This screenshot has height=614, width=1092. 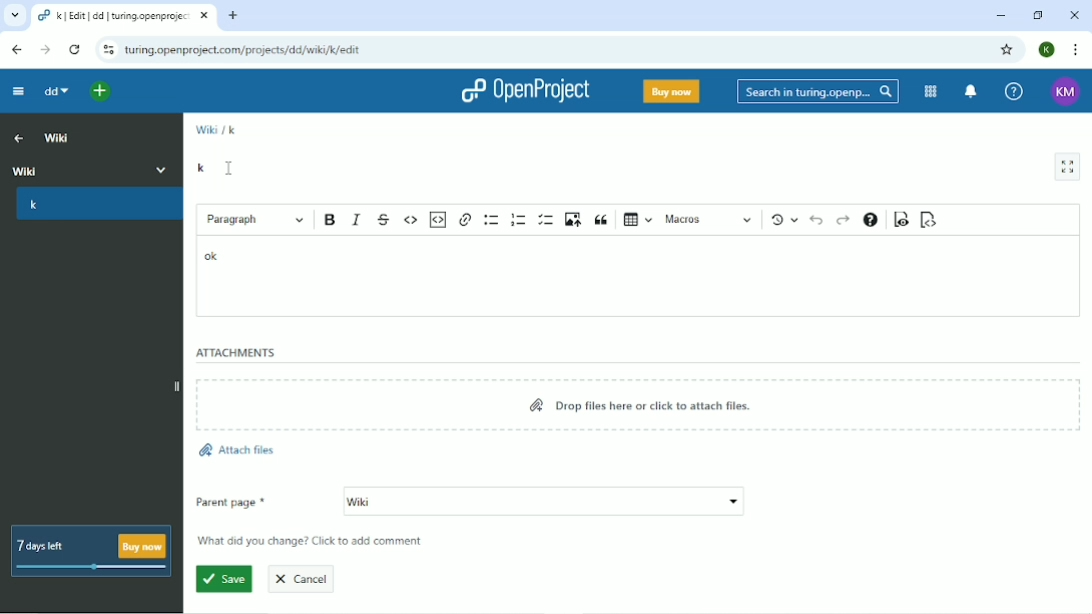 I want to click on k, so click(x=34, y=206).